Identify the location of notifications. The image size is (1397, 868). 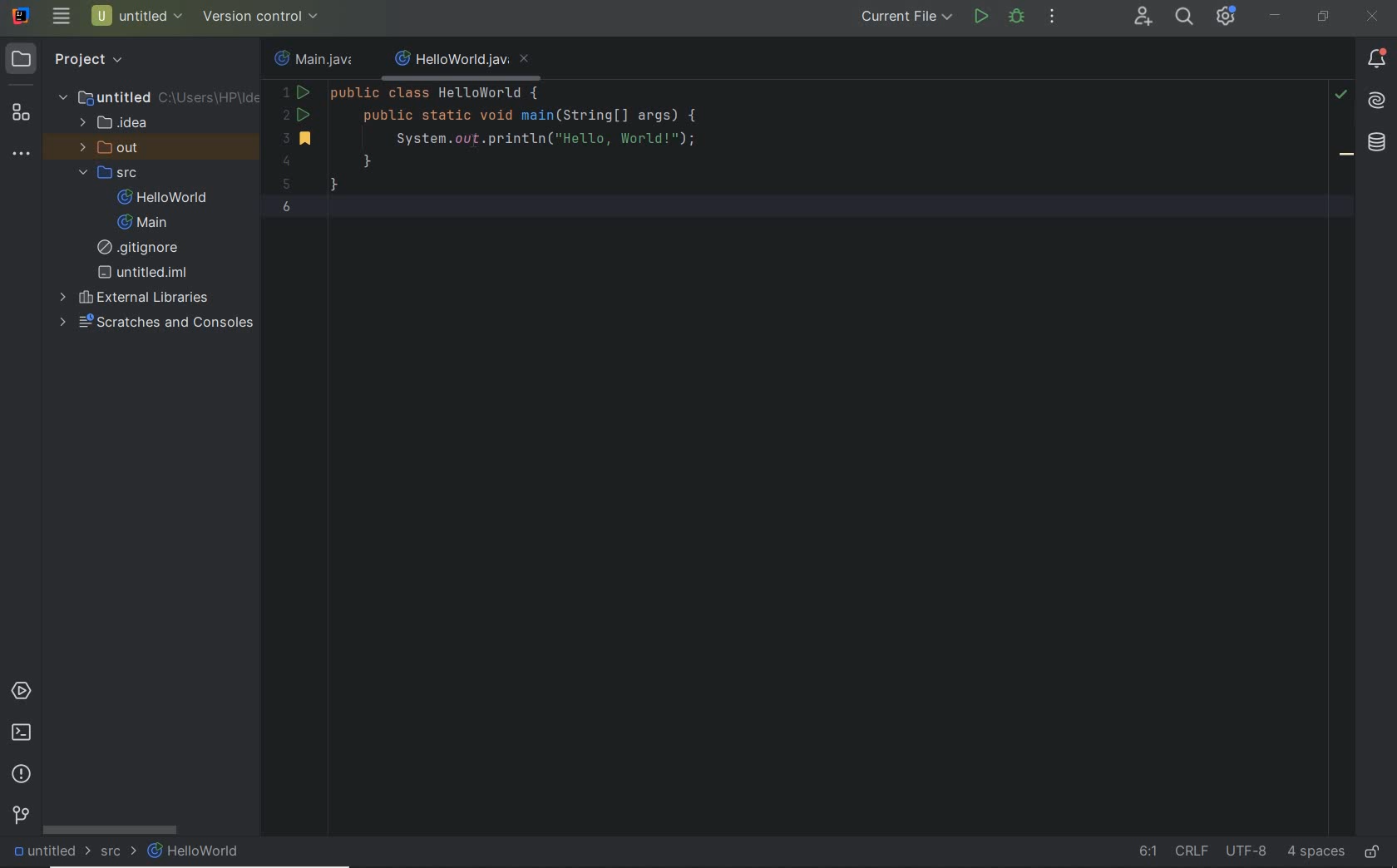
(1377, 61).